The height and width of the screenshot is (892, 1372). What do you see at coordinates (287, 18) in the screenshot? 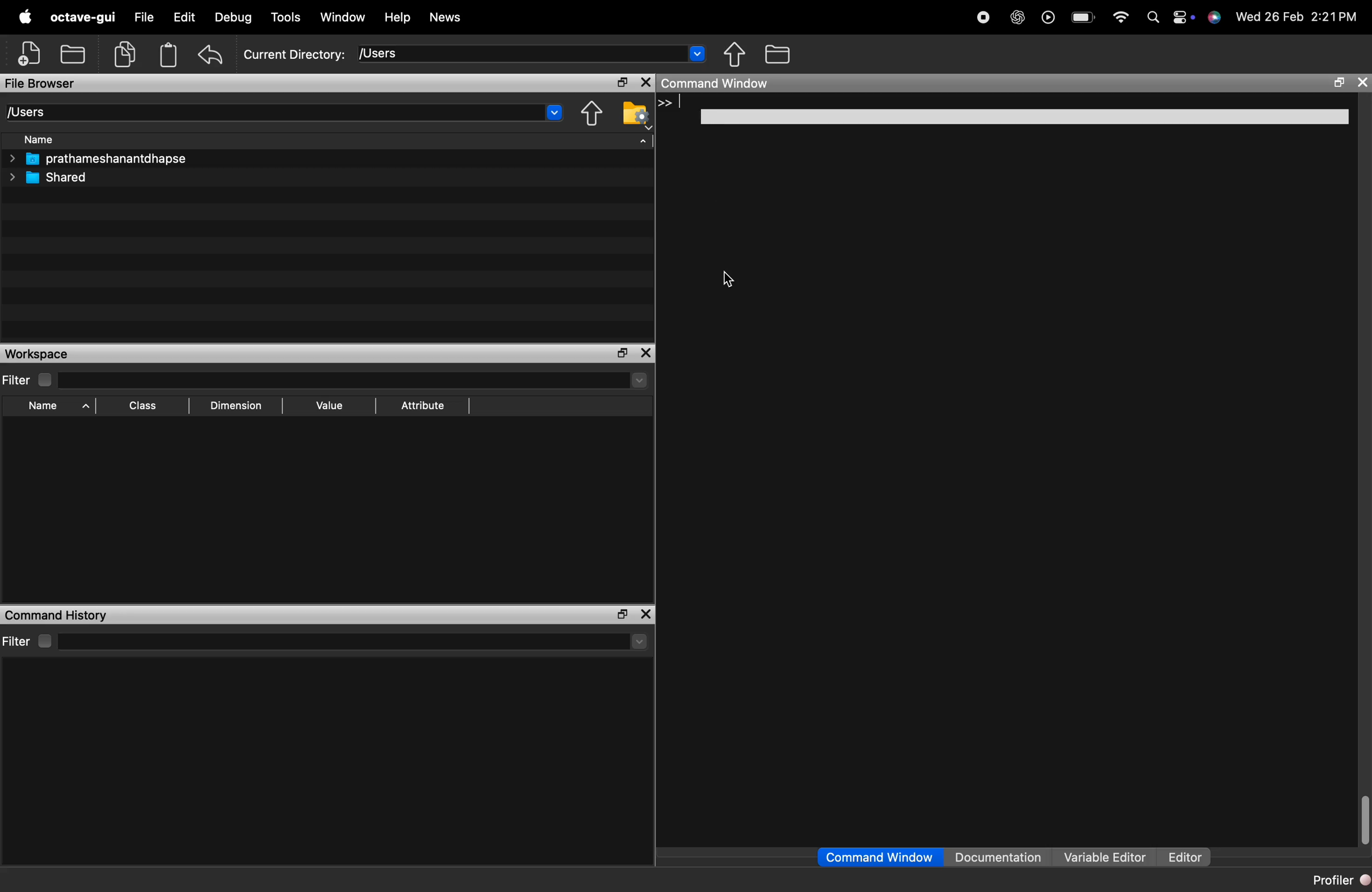
I see `Tools` at bounding box center [287, 18].